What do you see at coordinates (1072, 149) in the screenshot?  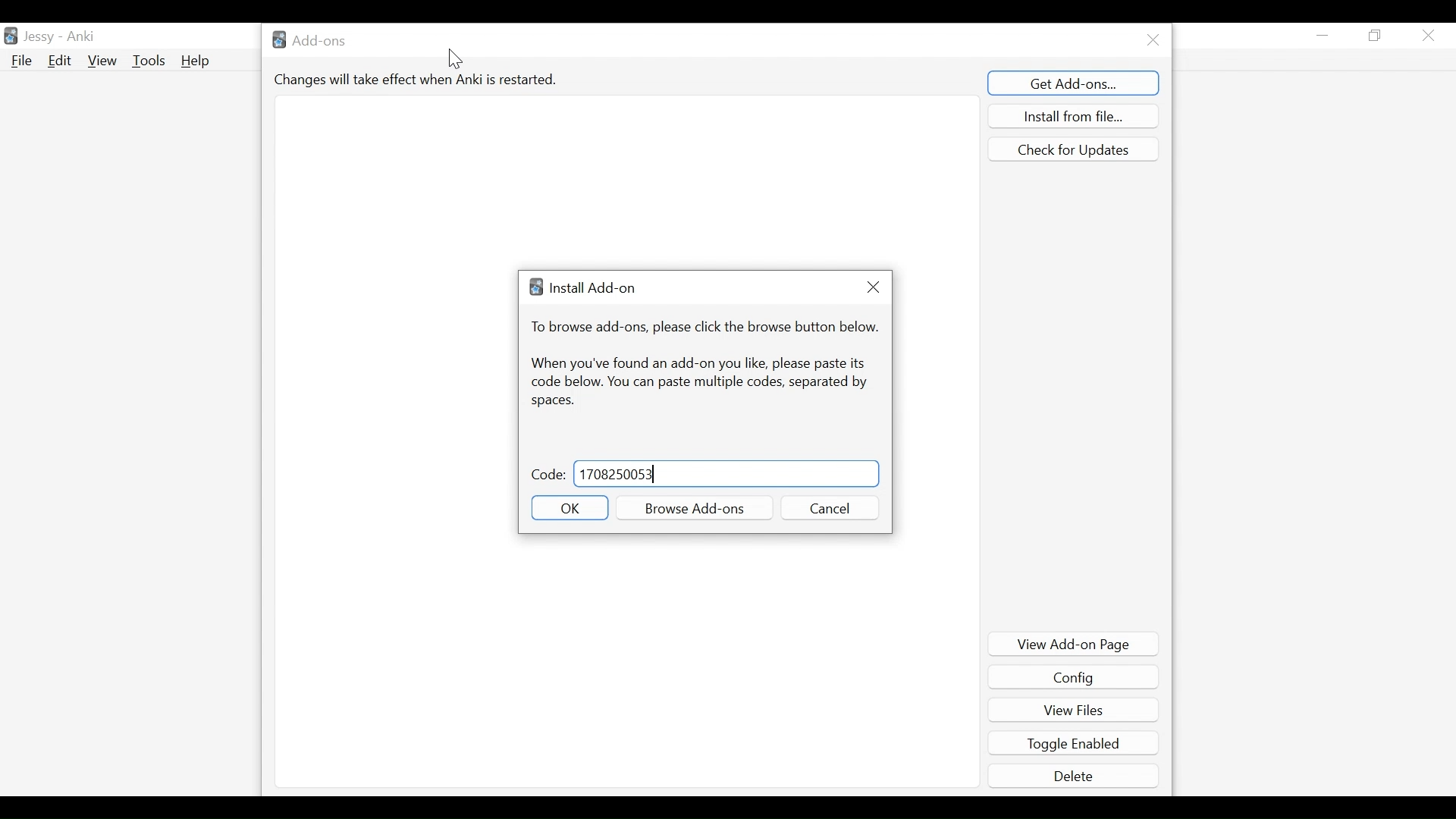 I see `Check for updates` at bounding box center [1072, 149].